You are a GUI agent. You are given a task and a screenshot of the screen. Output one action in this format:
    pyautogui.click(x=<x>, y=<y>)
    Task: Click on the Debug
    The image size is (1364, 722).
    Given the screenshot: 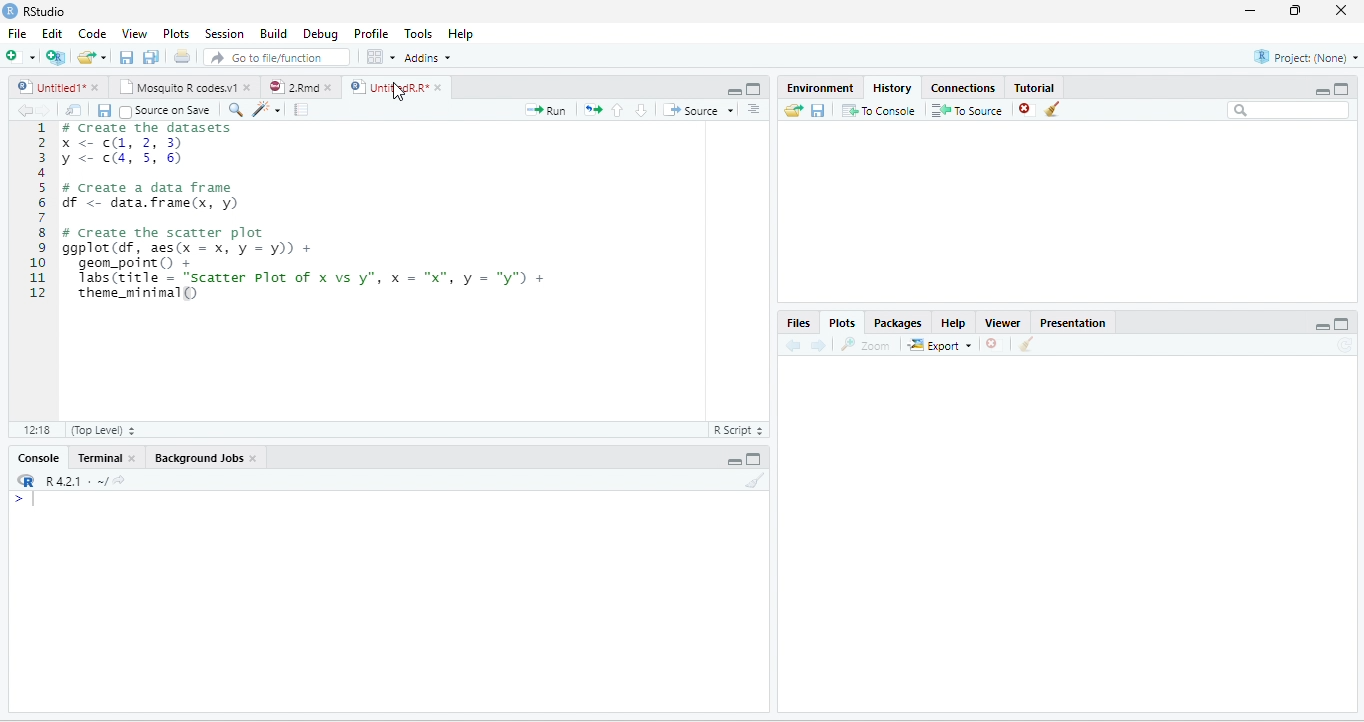 What is the action you would take?
    pyautogui.click(x=320, y=33)
    